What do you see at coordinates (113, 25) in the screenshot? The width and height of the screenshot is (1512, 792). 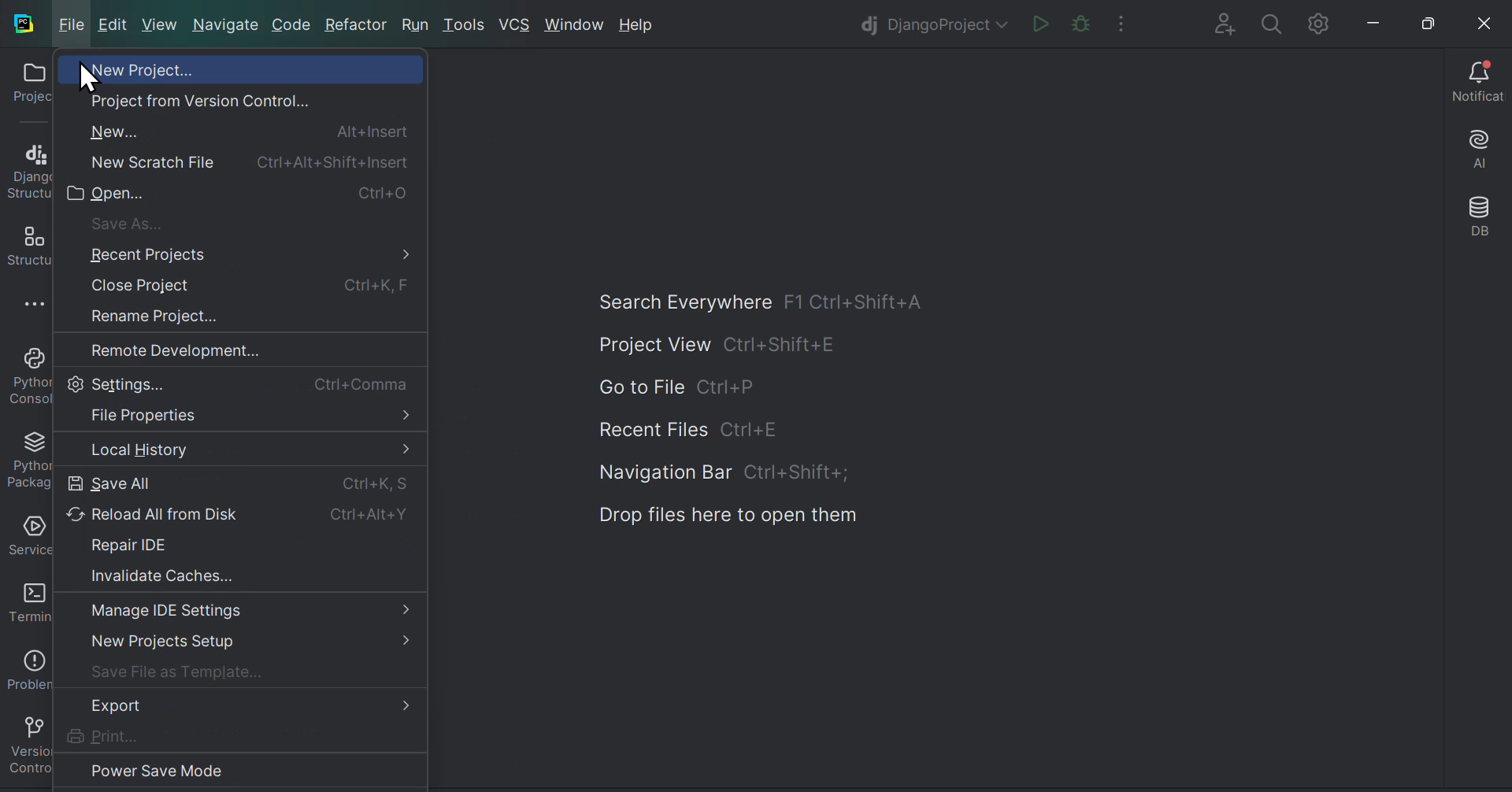 I see `Edit` at bounding box center [113, 25].